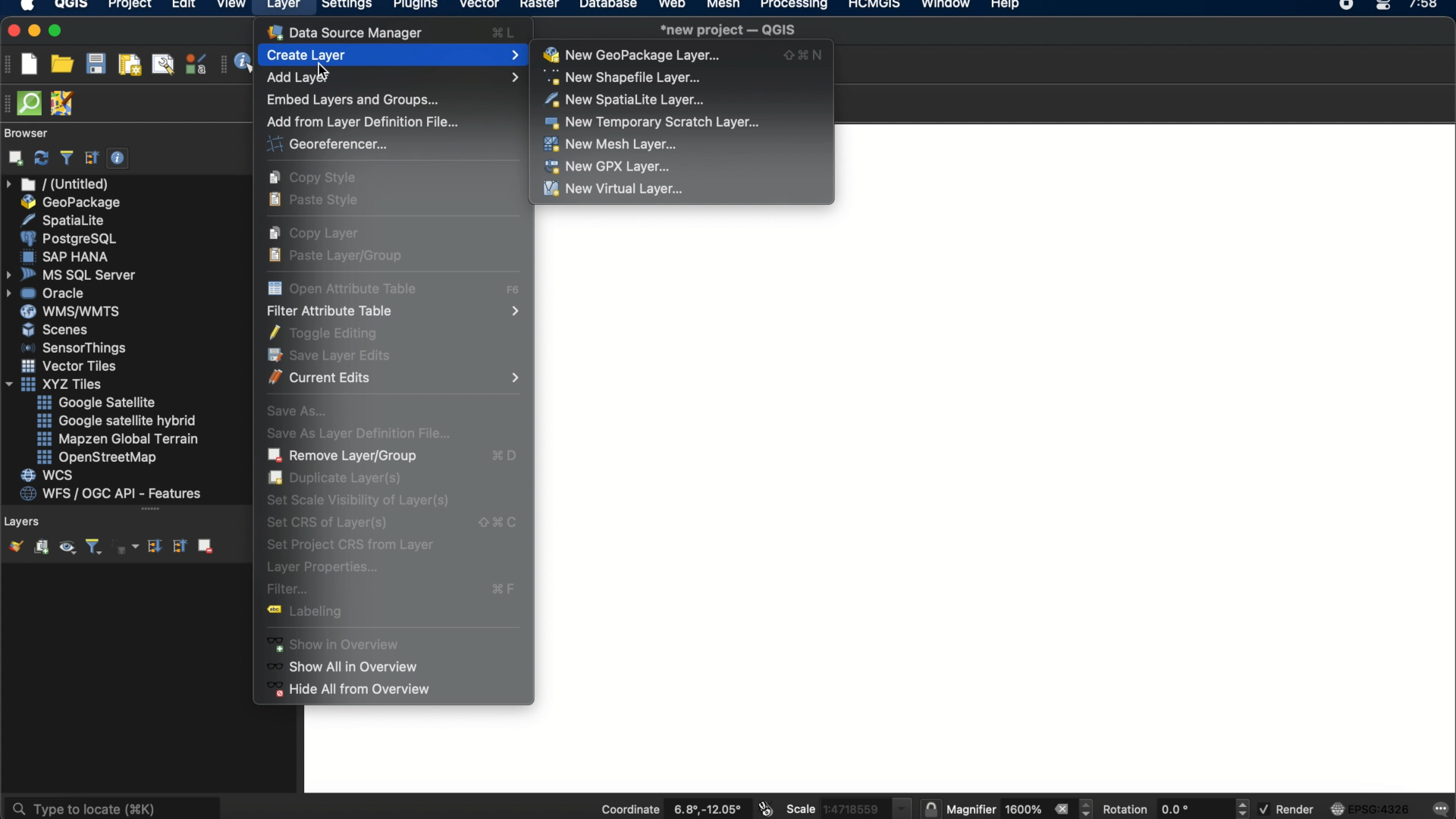 The image size is (1456, 819). Describe the element at coordinates (12, 31) in the screenshot. I see `close` at that location.